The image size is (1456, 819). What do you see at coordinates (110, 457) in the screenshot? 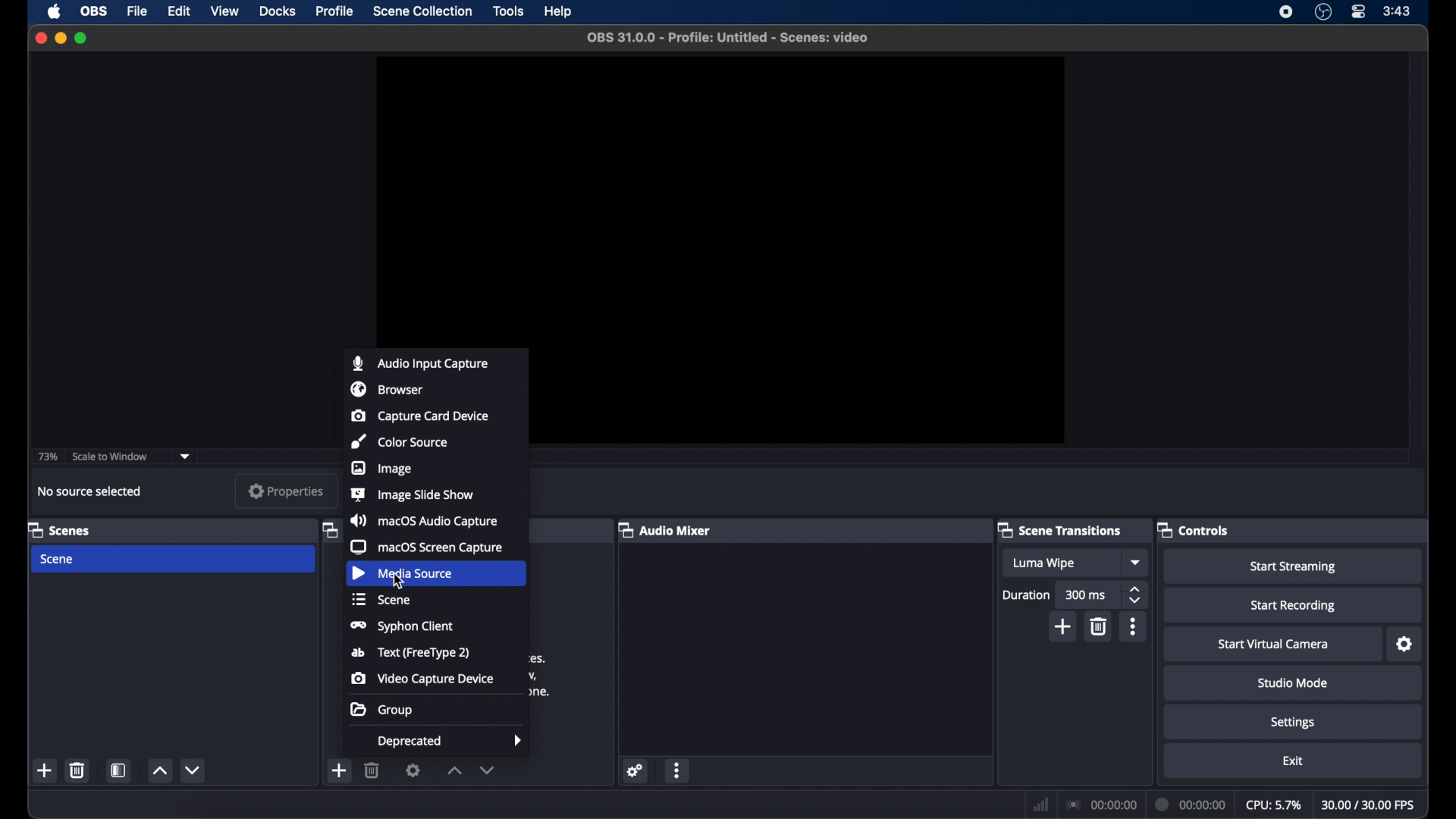
I see `scale  to window` at bounding box center [110, 457].